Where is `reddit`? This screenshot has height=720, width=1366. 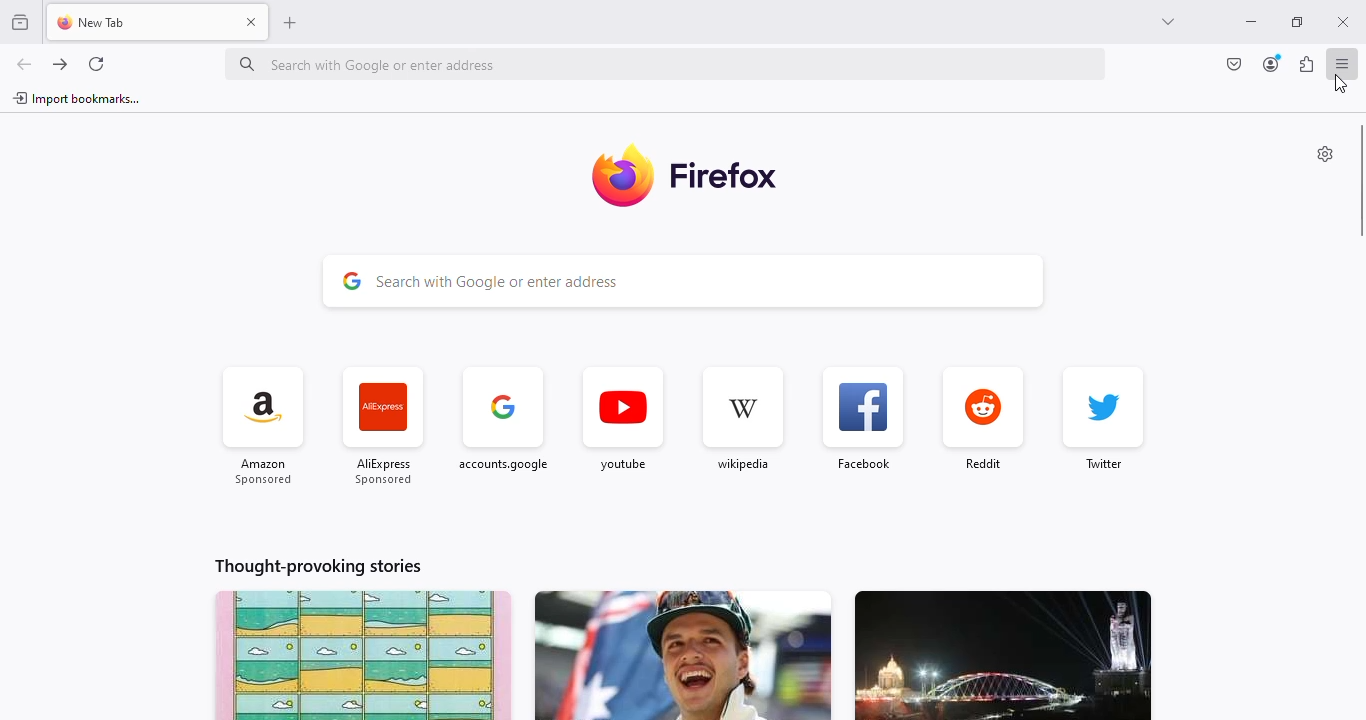 reddit is located at coordinates (983, 421).